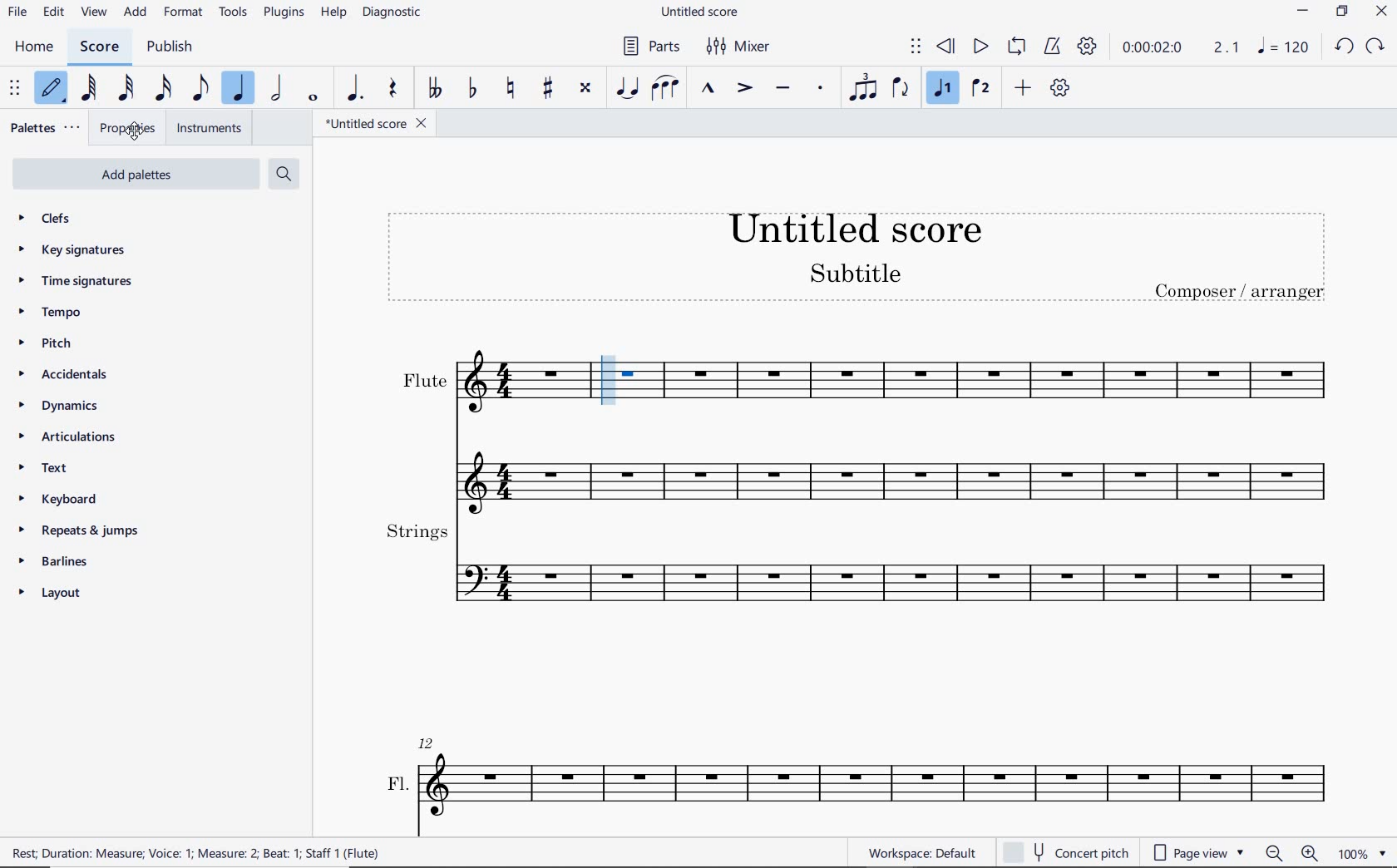 The height and width of the screenshot is (868, 1397). What do you see at coordinates (664, 87) in the screenshot?
I see `SLUR` at bounding box center [664, 87].